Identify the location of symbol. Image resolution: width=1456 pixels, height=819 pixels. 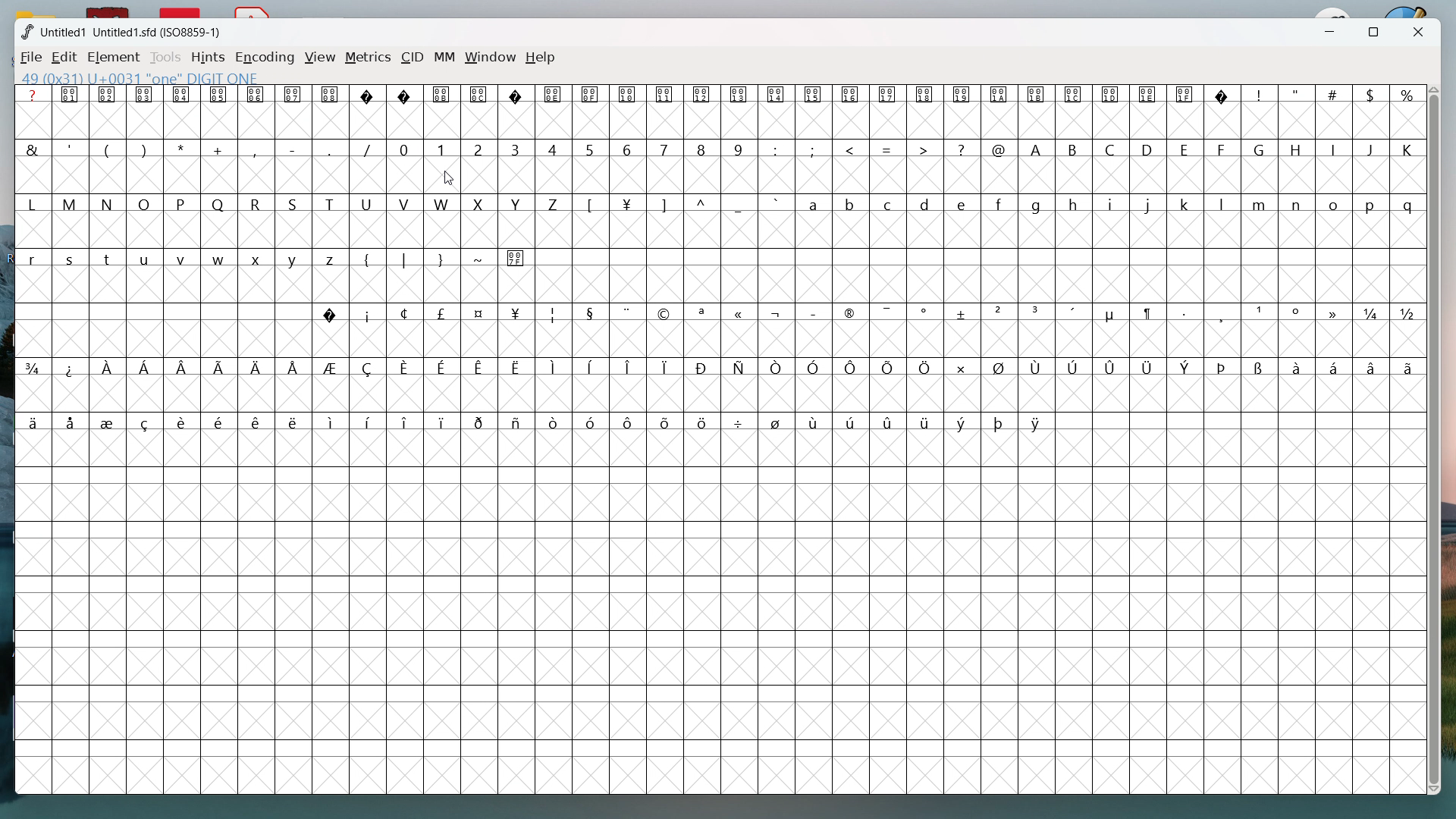
(1408, 313).